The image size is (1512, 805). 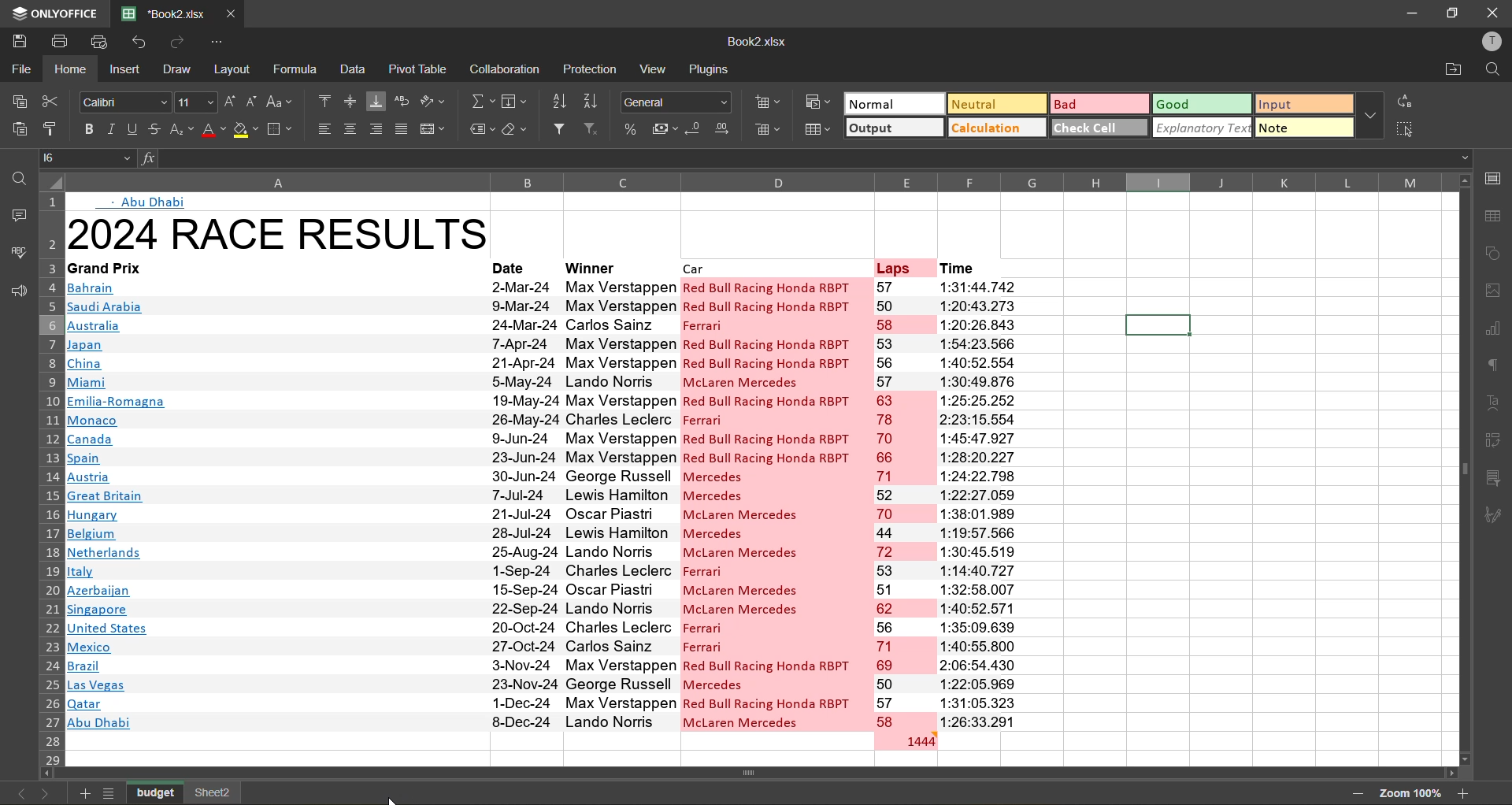 I want to click on scroll bar, so click(x=784, y=772).